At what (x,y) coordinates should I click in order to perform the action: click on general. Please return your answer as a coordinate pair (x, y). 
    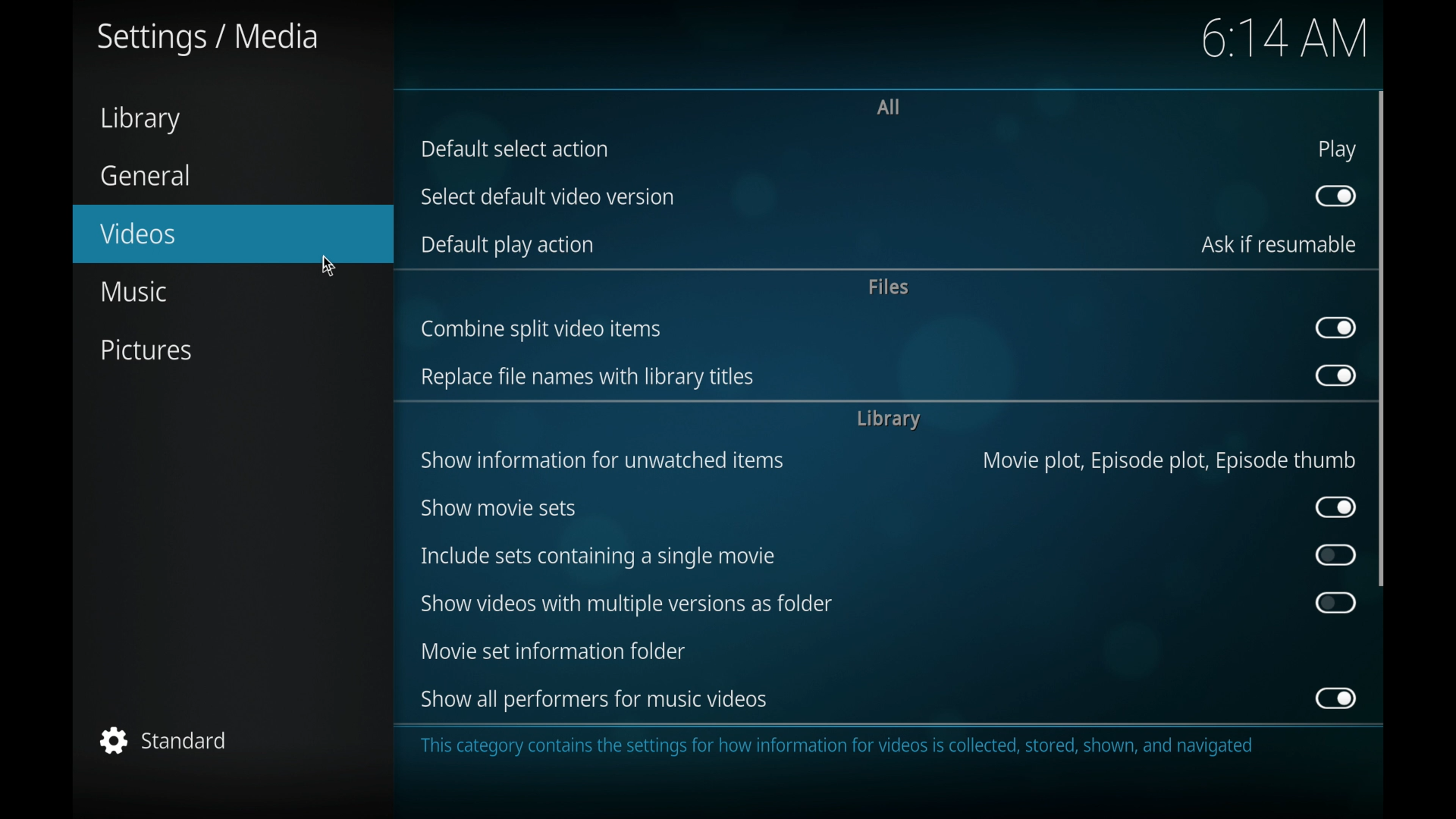
    Looking at the image, I should click on (146, 174).